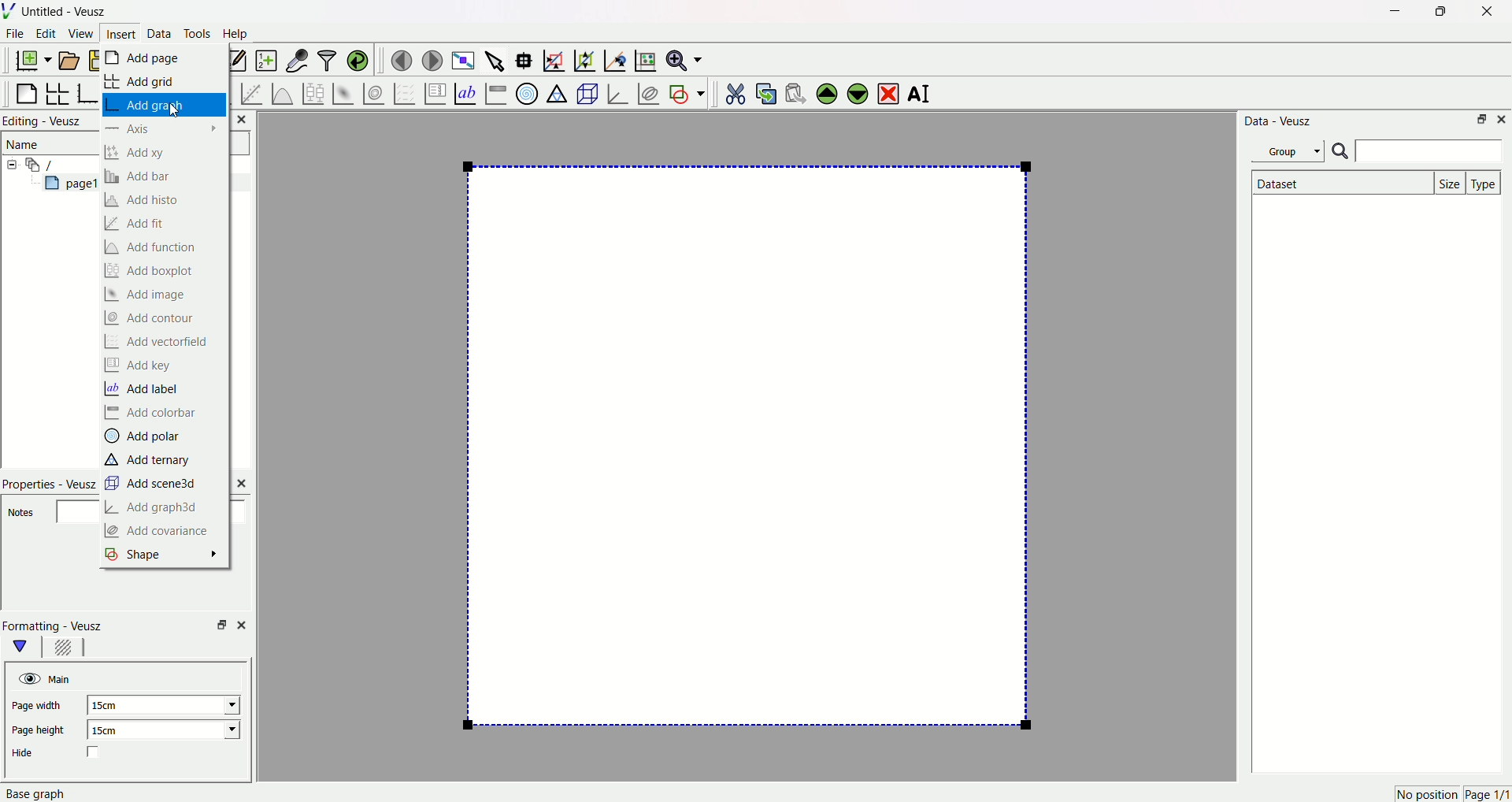 The height and width of the screenshot is (802, 1512). What do you see at coordinates (41, 732) in the screenshot?
I see `Page height` at bounding box center [41, 732].